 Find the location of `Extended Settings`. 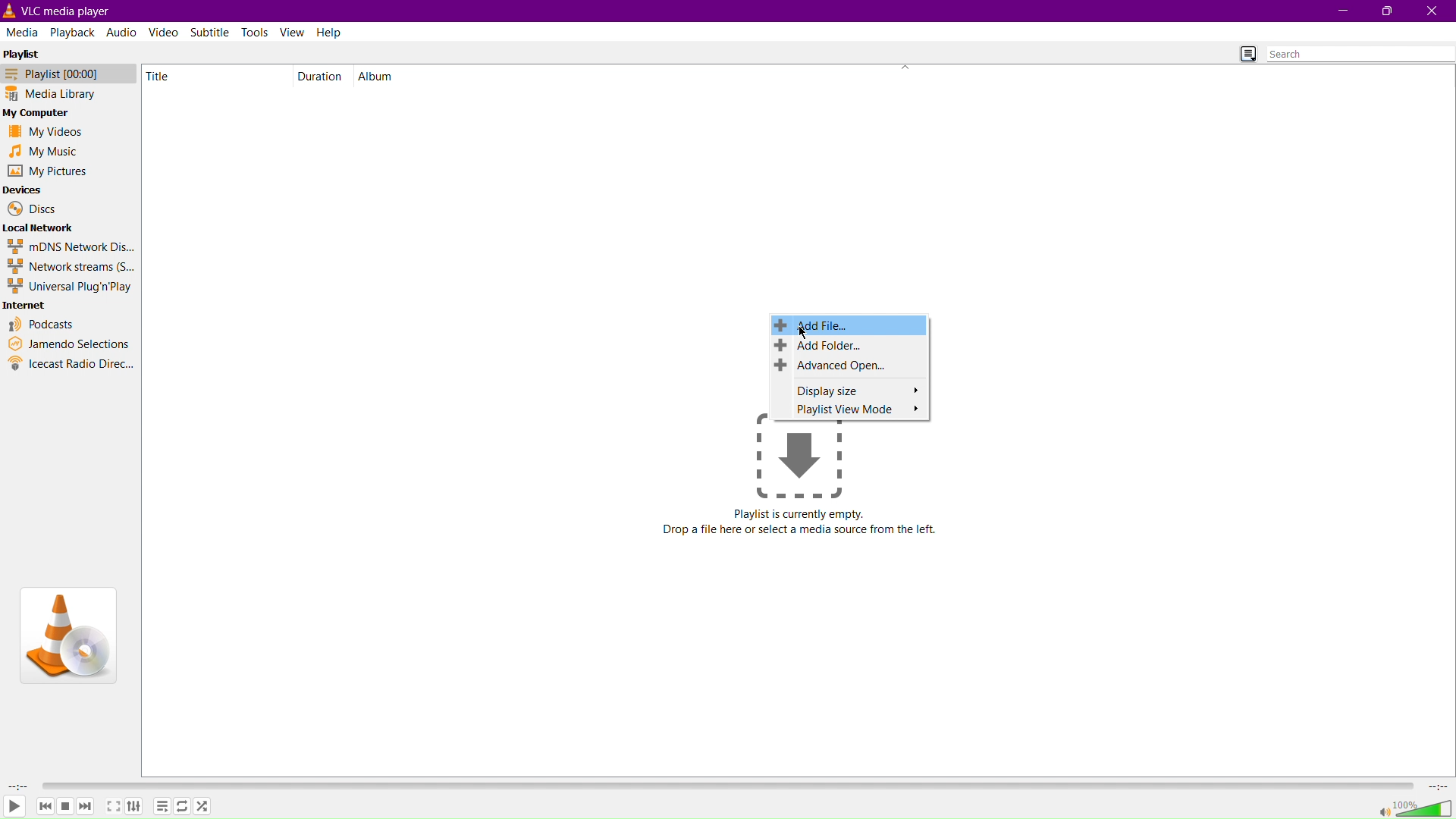

Extended Settings is located at coordinates (138, 808).